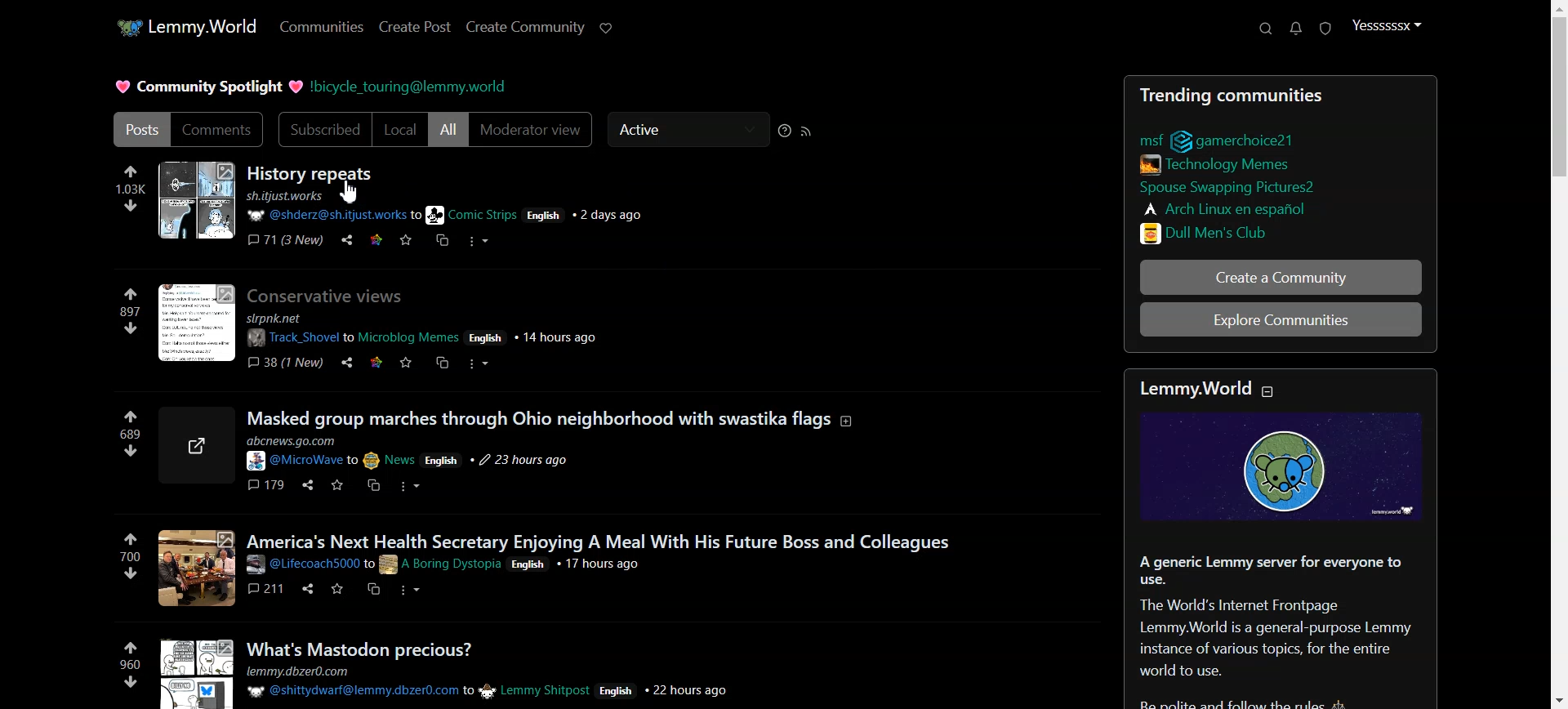 The image size is (1568, 709). Describe the element at coordinates (364, 649) in the screenshot. I see `What's Mastodon precious?` at that location.